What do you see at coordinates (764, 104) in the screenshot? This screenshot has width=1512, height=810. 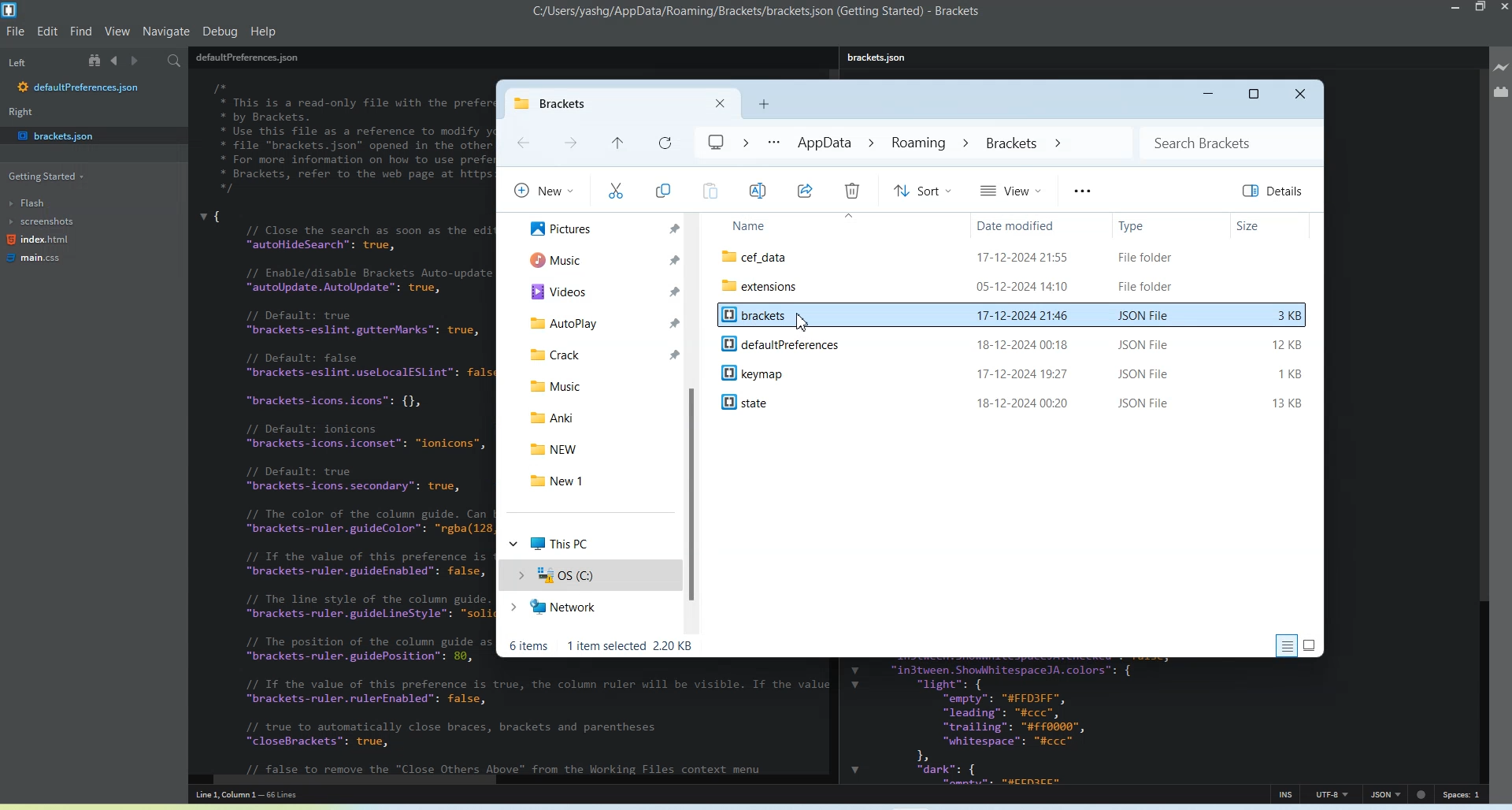 I see `New Tab` at bounding box center [764, 104].